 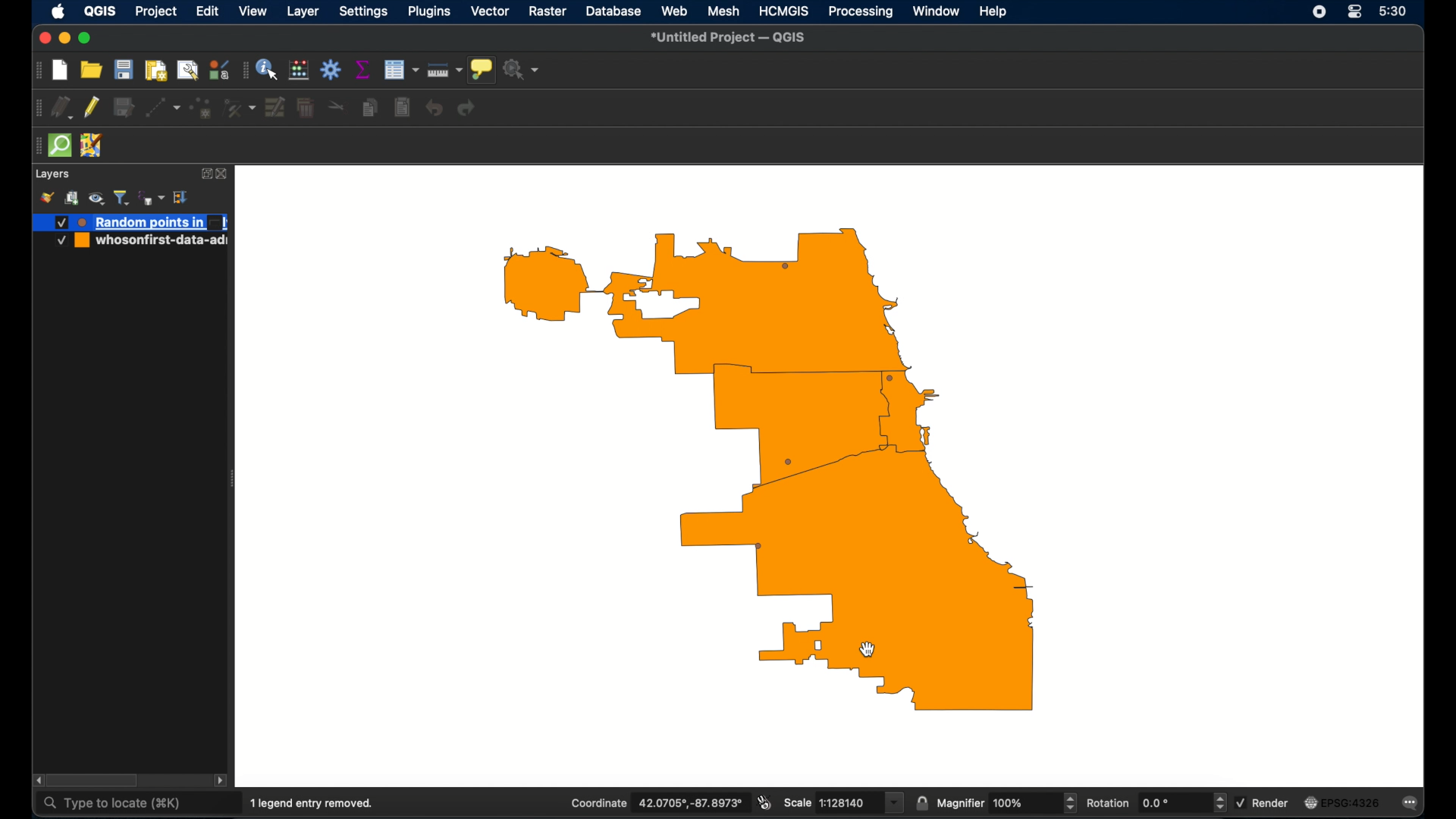 I want to click on scroll box, so click(x=96, y=780).